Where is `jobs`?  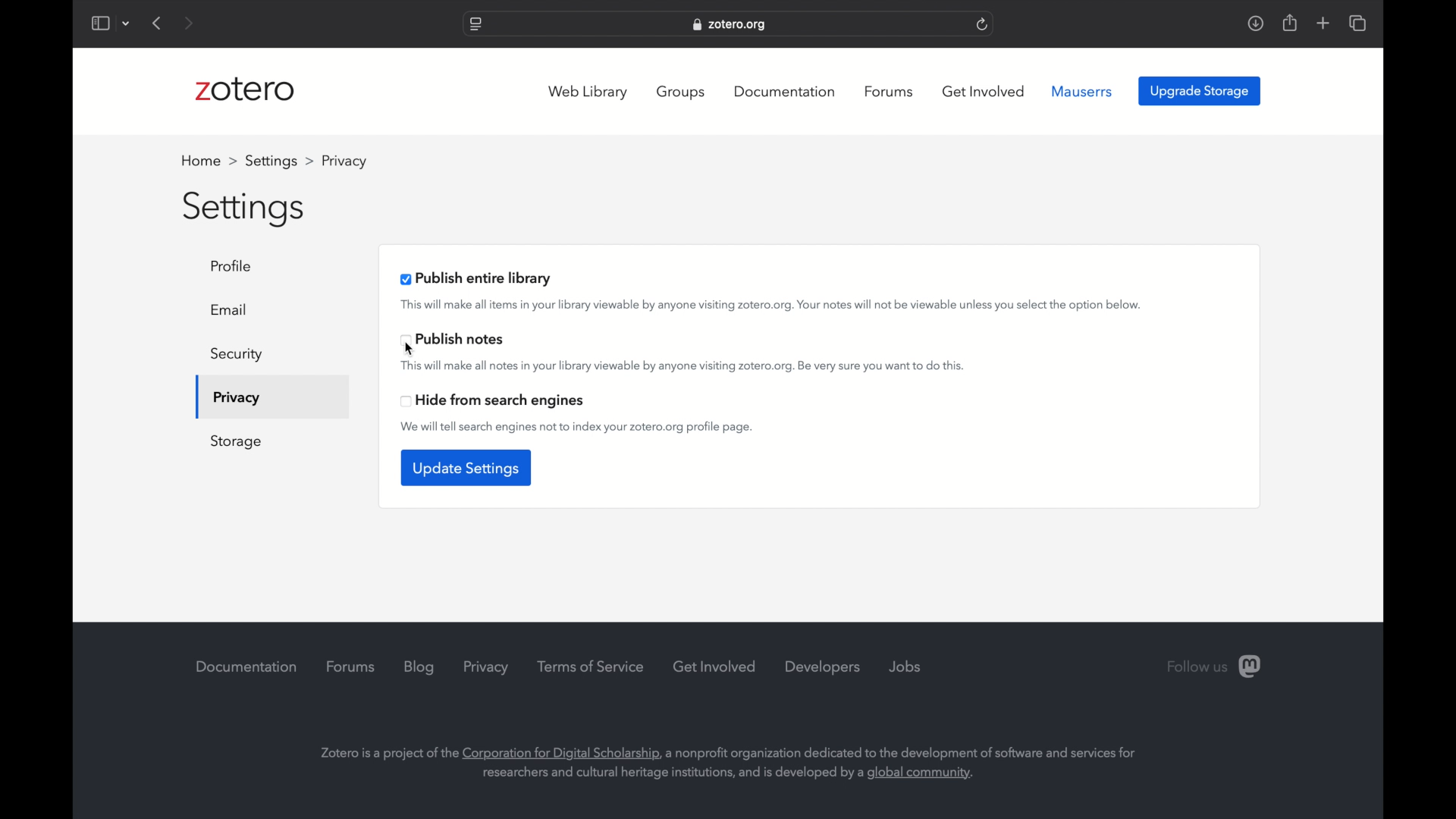
jobs is located at coordinates (905, 667).